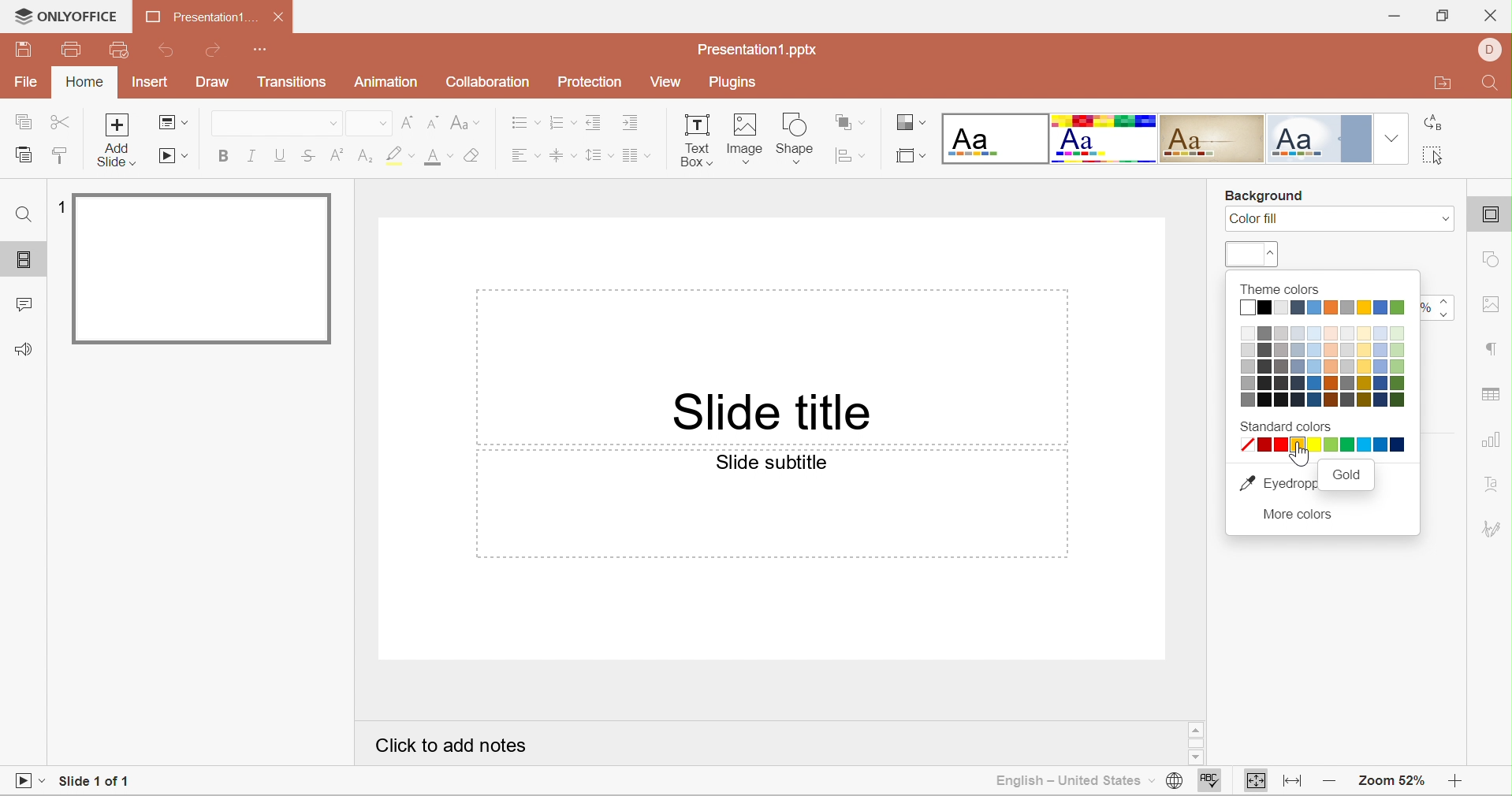 The image size is (1512, 796). What do you see at coordinates (564, 158) in the screenshot?
I see `Vertical Align` at bounding box center [564, 158].